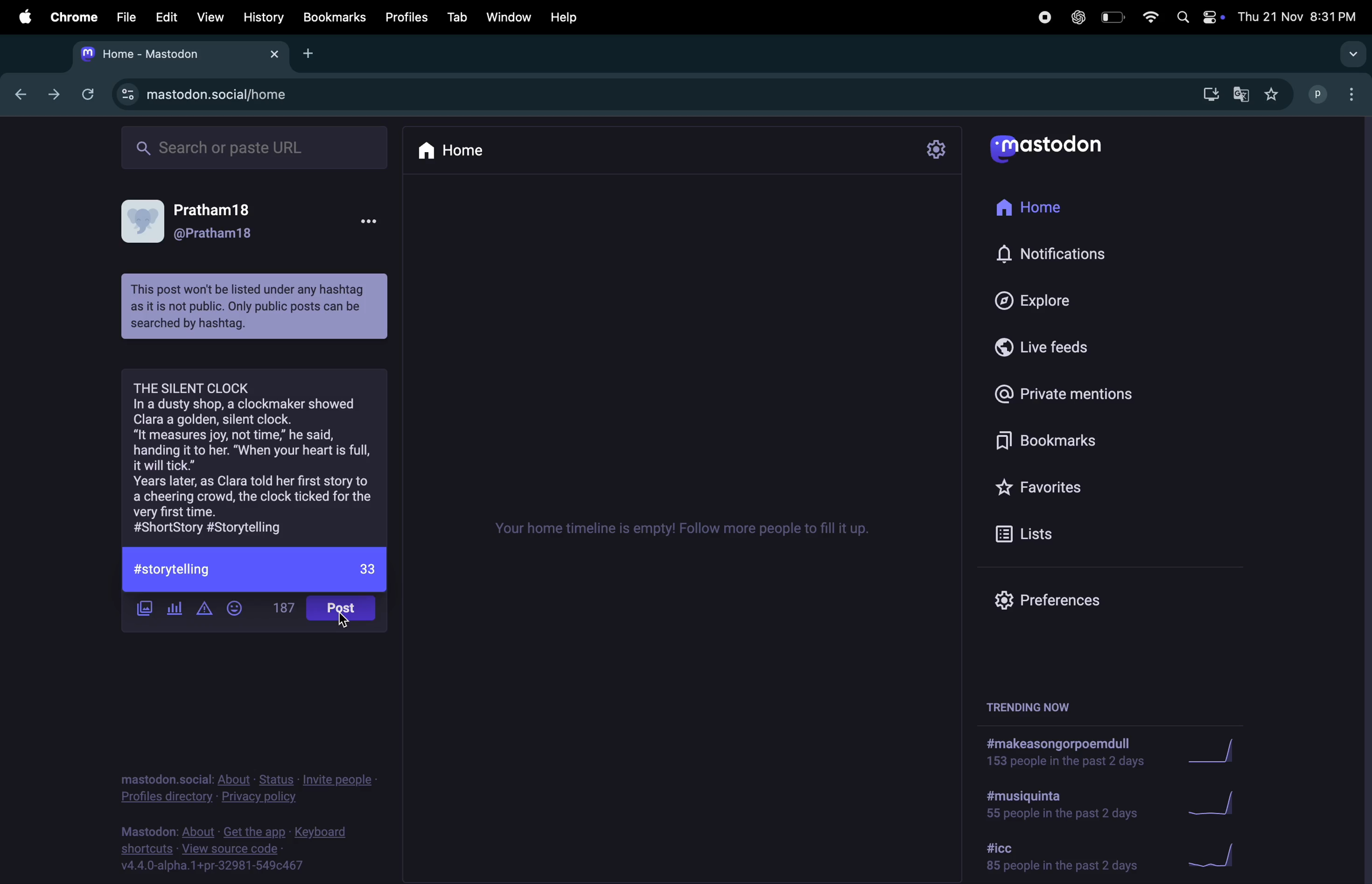  What do you see at coordinates (370, 223) in the screenshot?
I see `more options` at bounding box center [370, 223].